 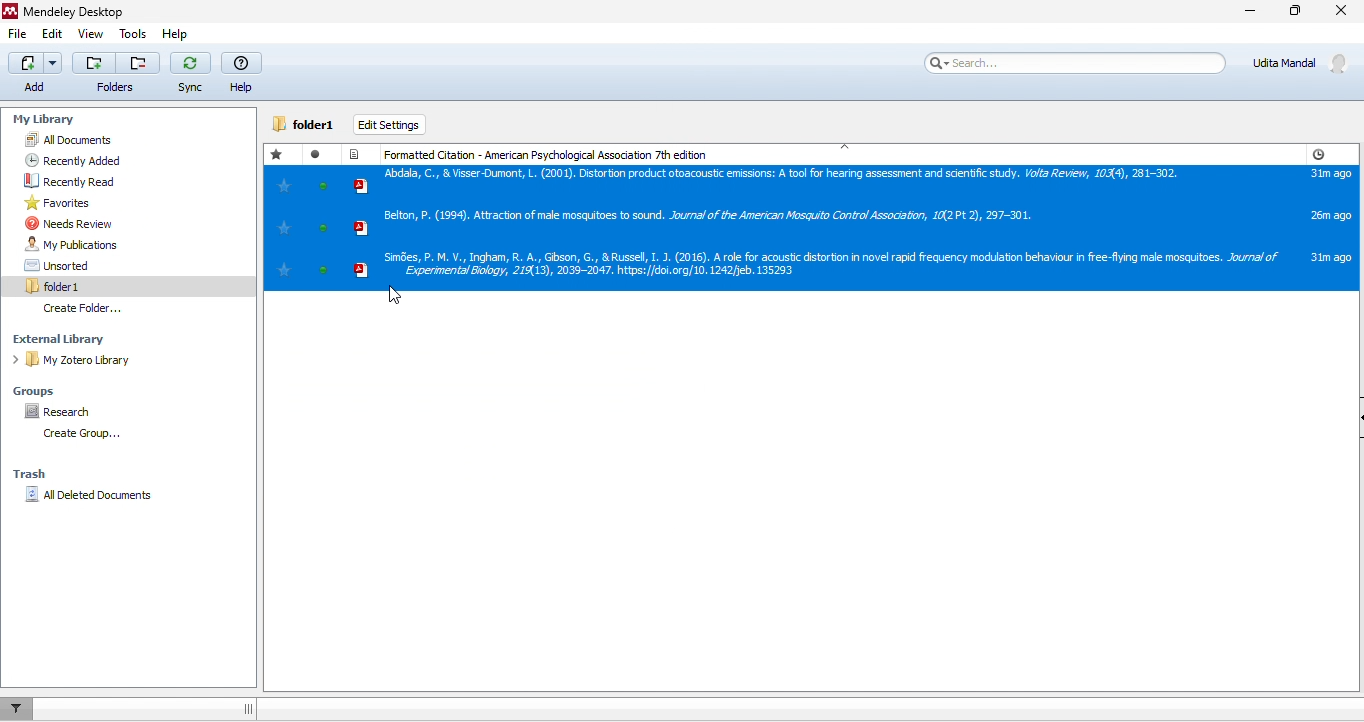 I want to click on edit settings, so click(x=392, y=125).